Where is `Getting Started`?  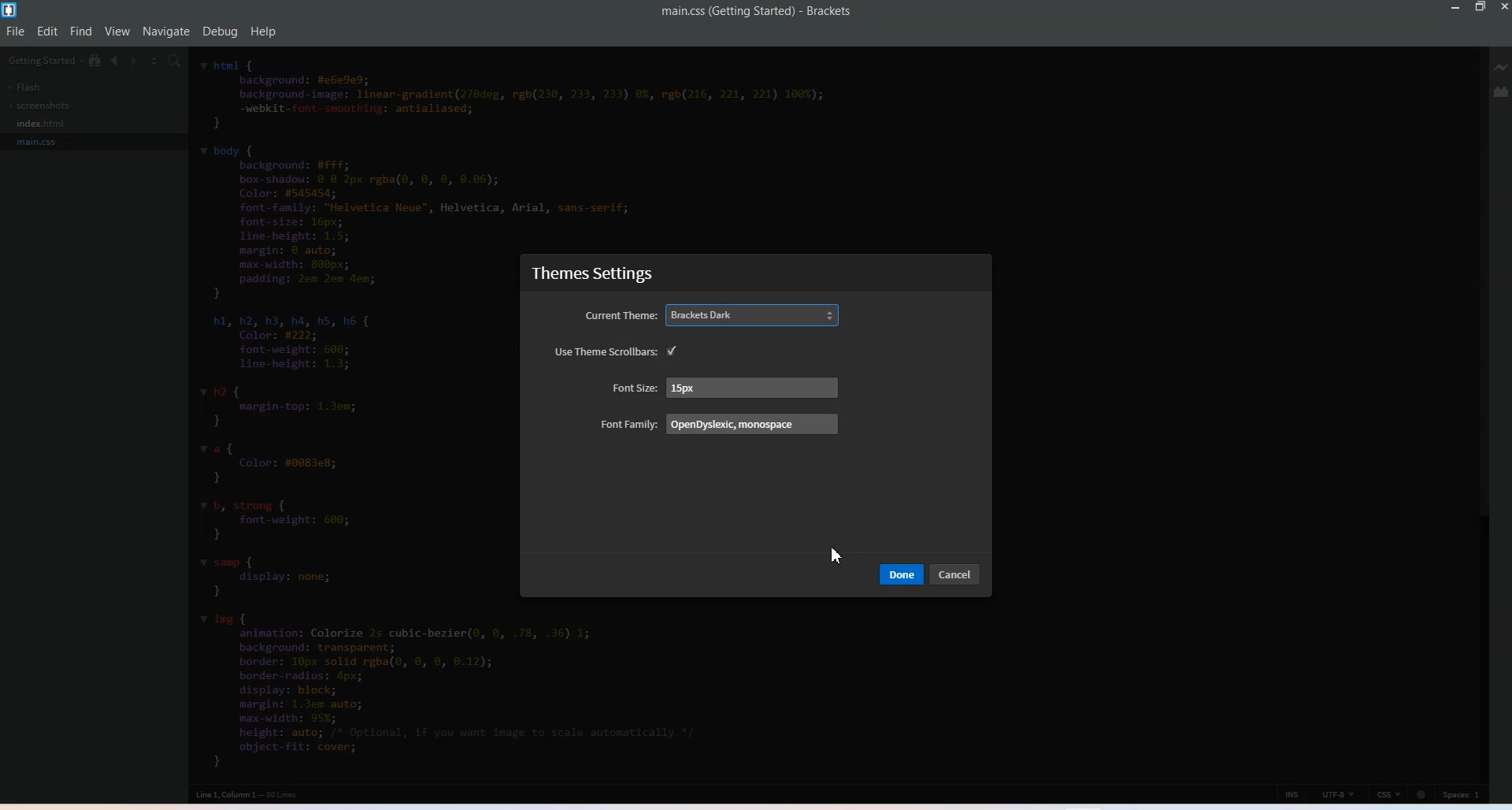
Getting Started is located at coordinates (43, 60).